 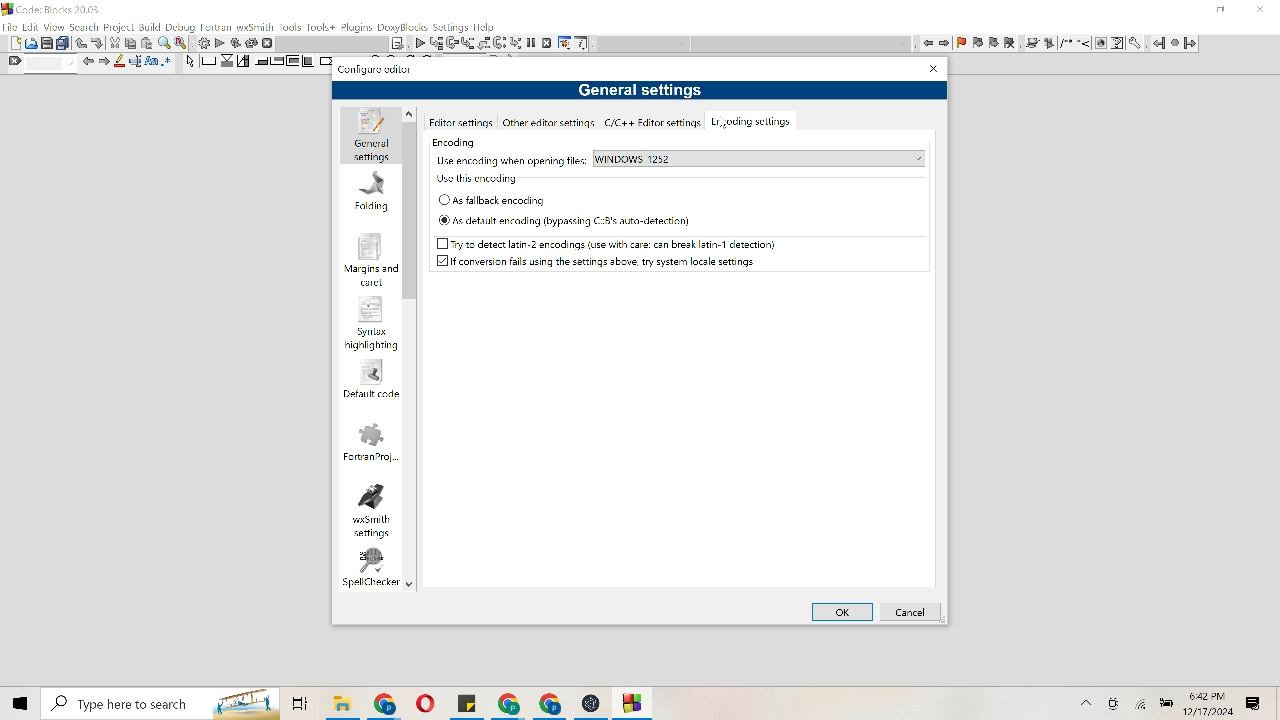 I want to click on File, so click(x=467, y=703).